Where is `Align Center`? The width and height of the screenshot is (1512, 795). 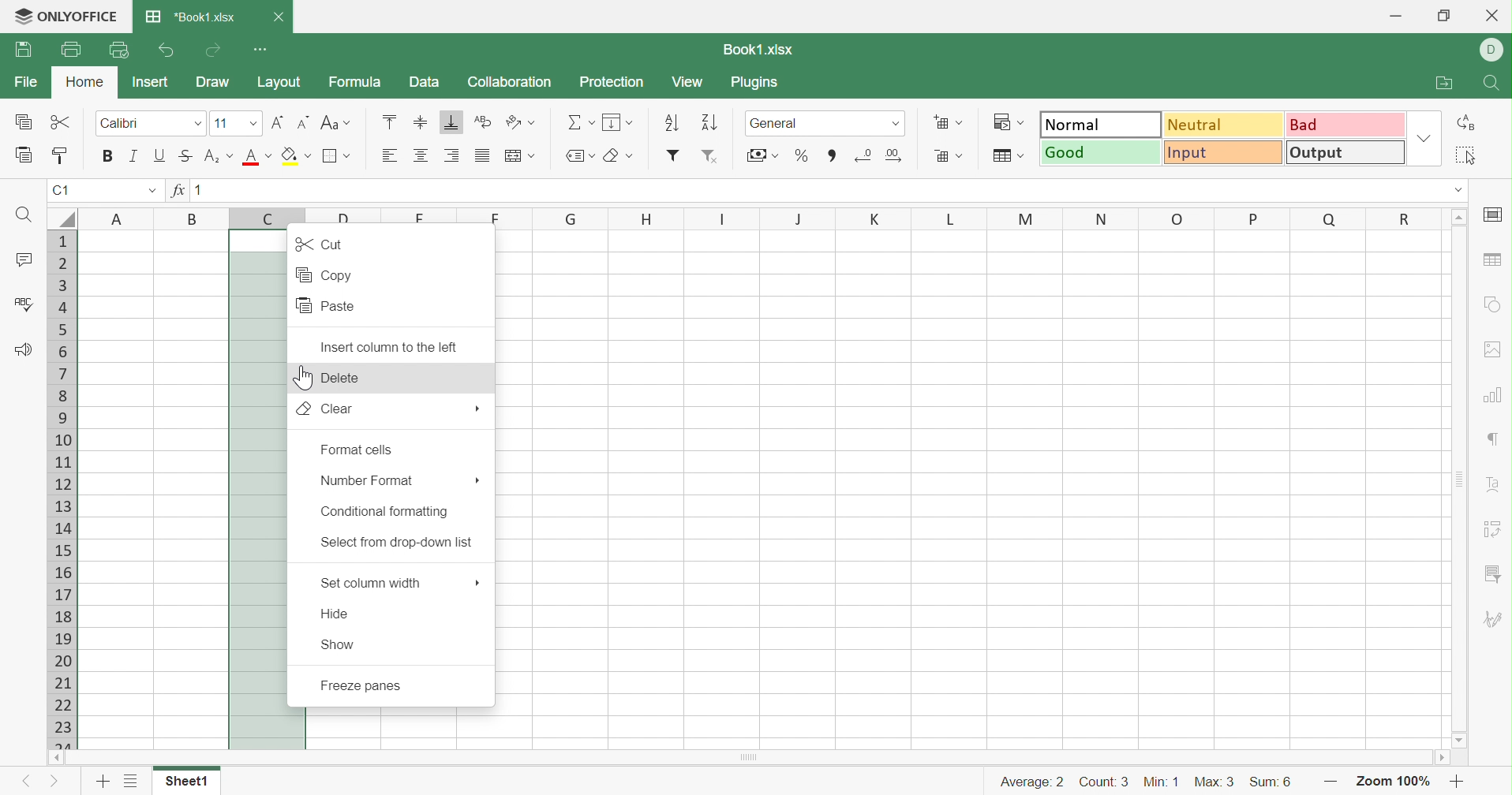 Align Center is located at coordinates (421, 155).